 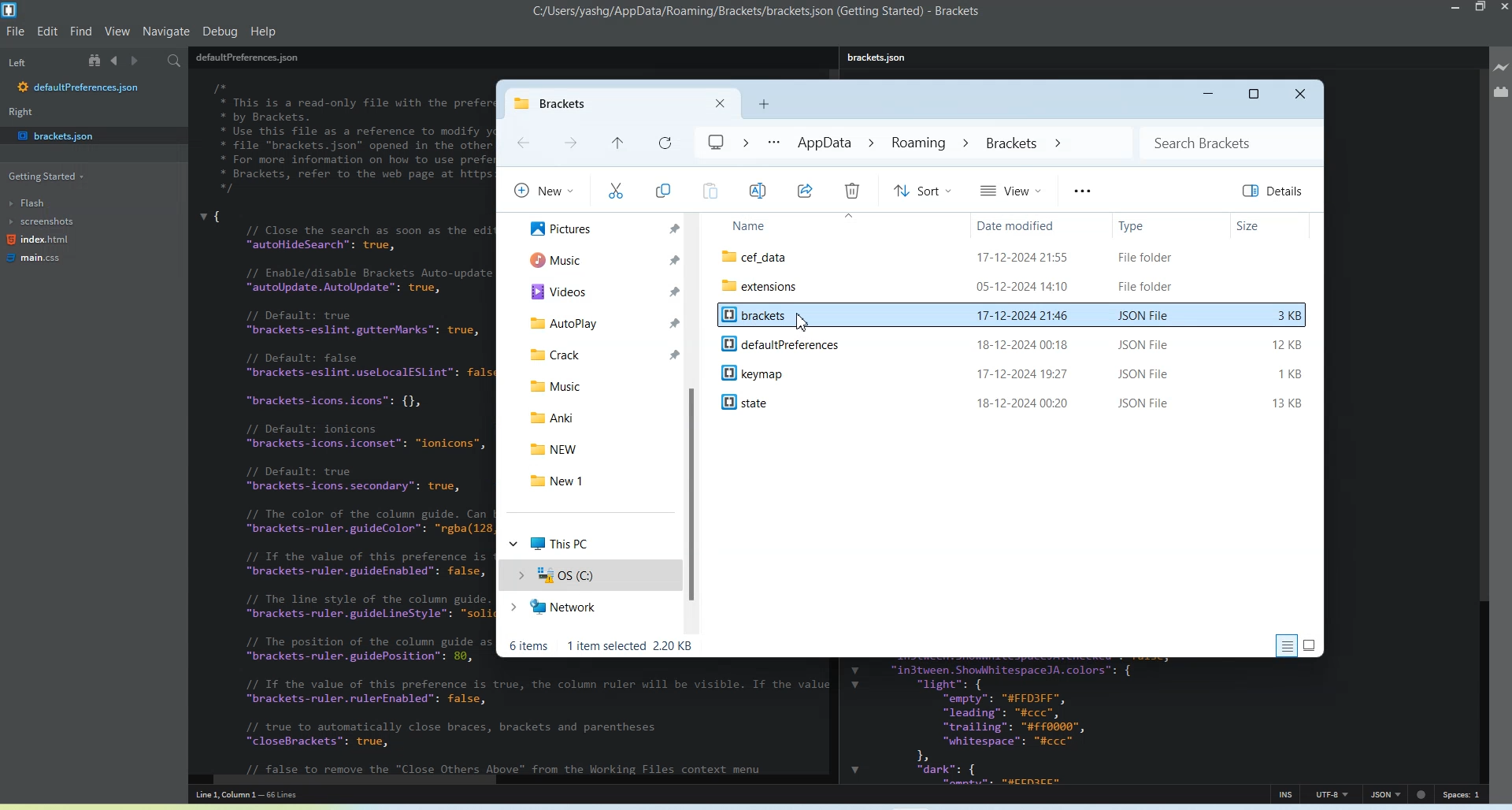 What do you see at coordinates (1275, 191) in the screenshot?
I see `Details` at bounding box center [1275, 191].